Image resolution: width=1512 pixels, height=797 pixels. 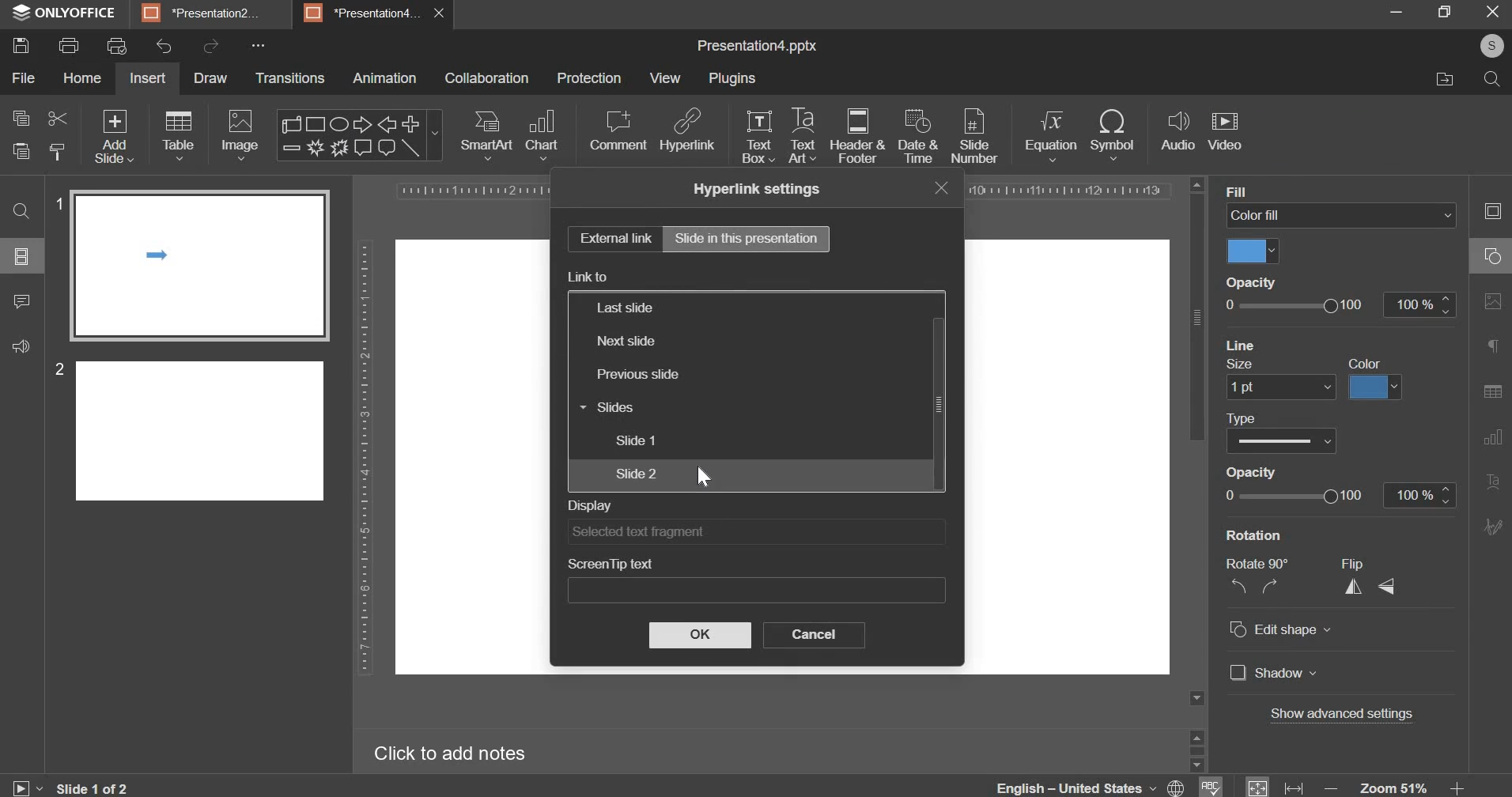 I want to click on , so click(x=1291, y=500).